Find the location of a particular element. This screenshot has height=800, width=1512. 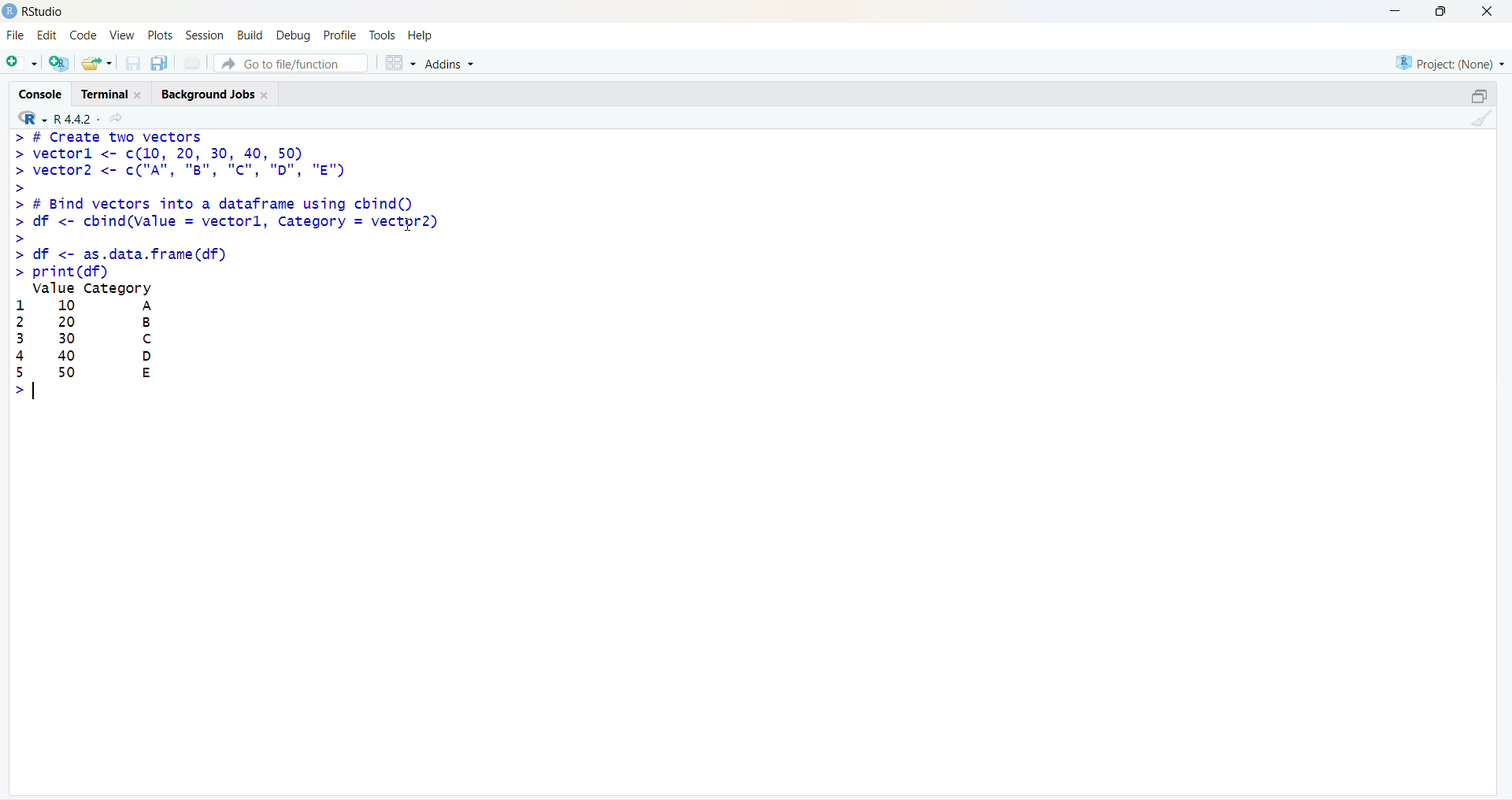

Plots is located at coordinates (160, 35).